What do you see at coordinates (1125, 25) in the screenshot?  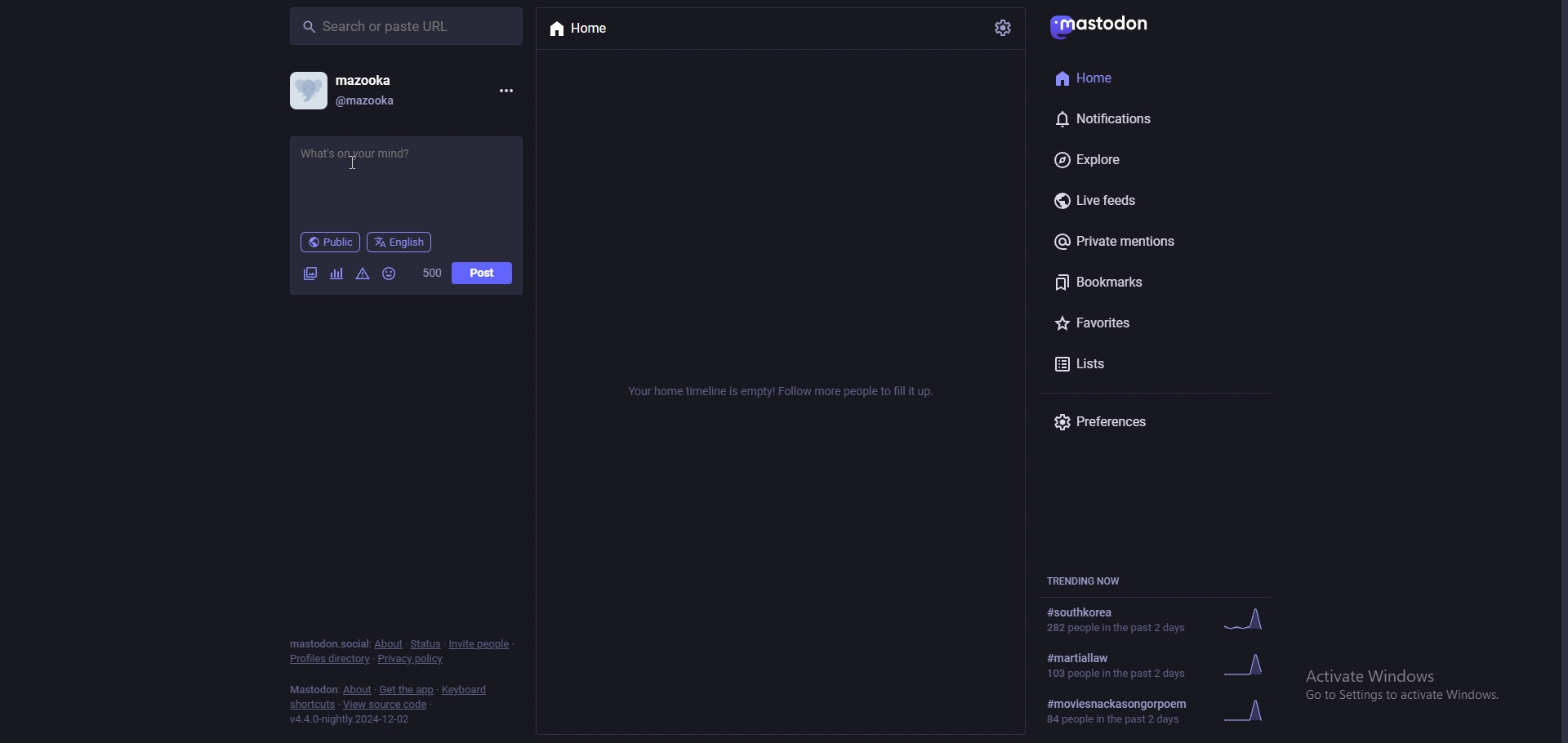 I see `mastodon` at bounding box center [1125, 25].